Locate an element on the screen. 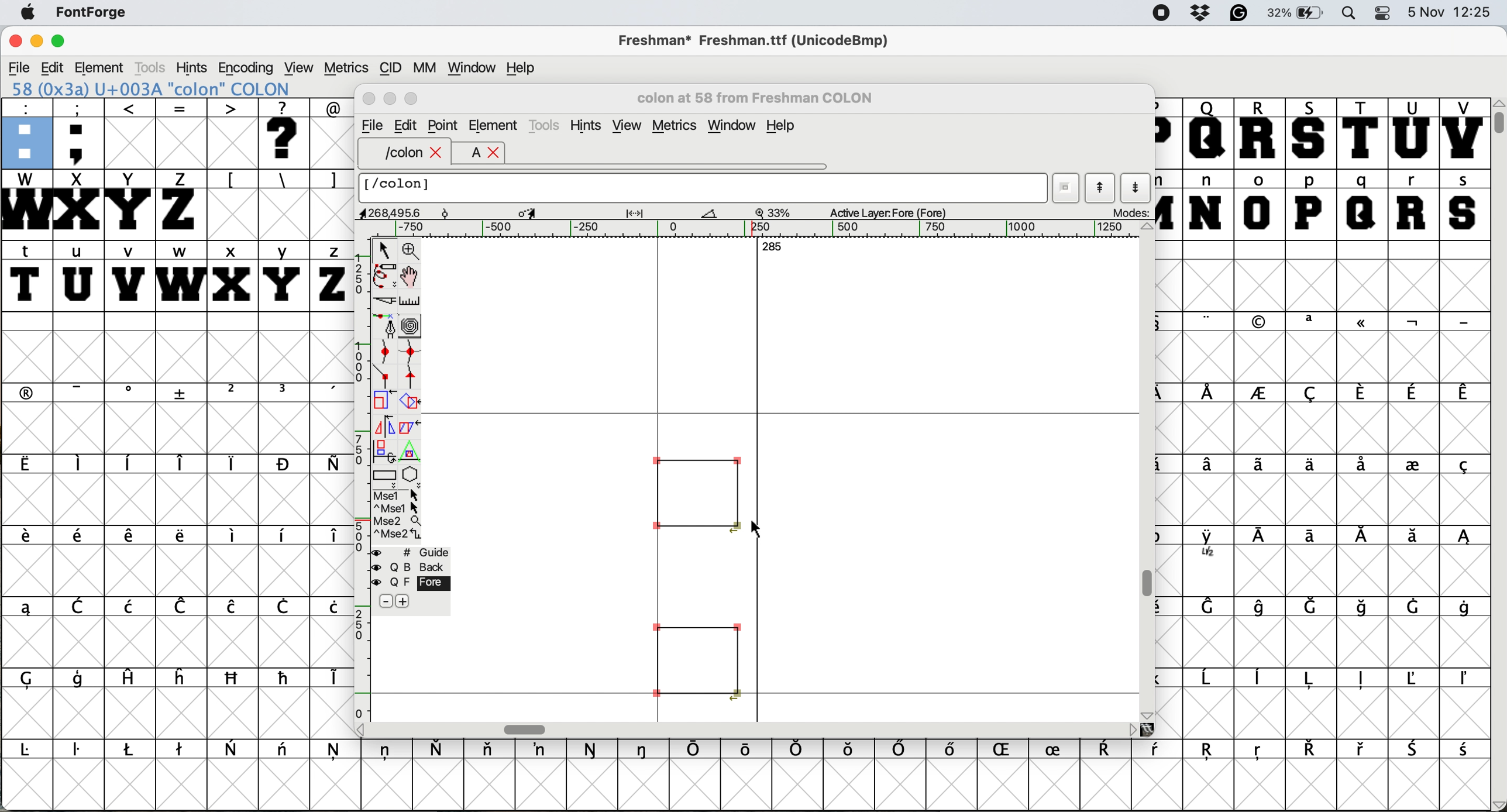 This screenshot has width=1507, height=812. symbol is located at coordinates (35, 679).